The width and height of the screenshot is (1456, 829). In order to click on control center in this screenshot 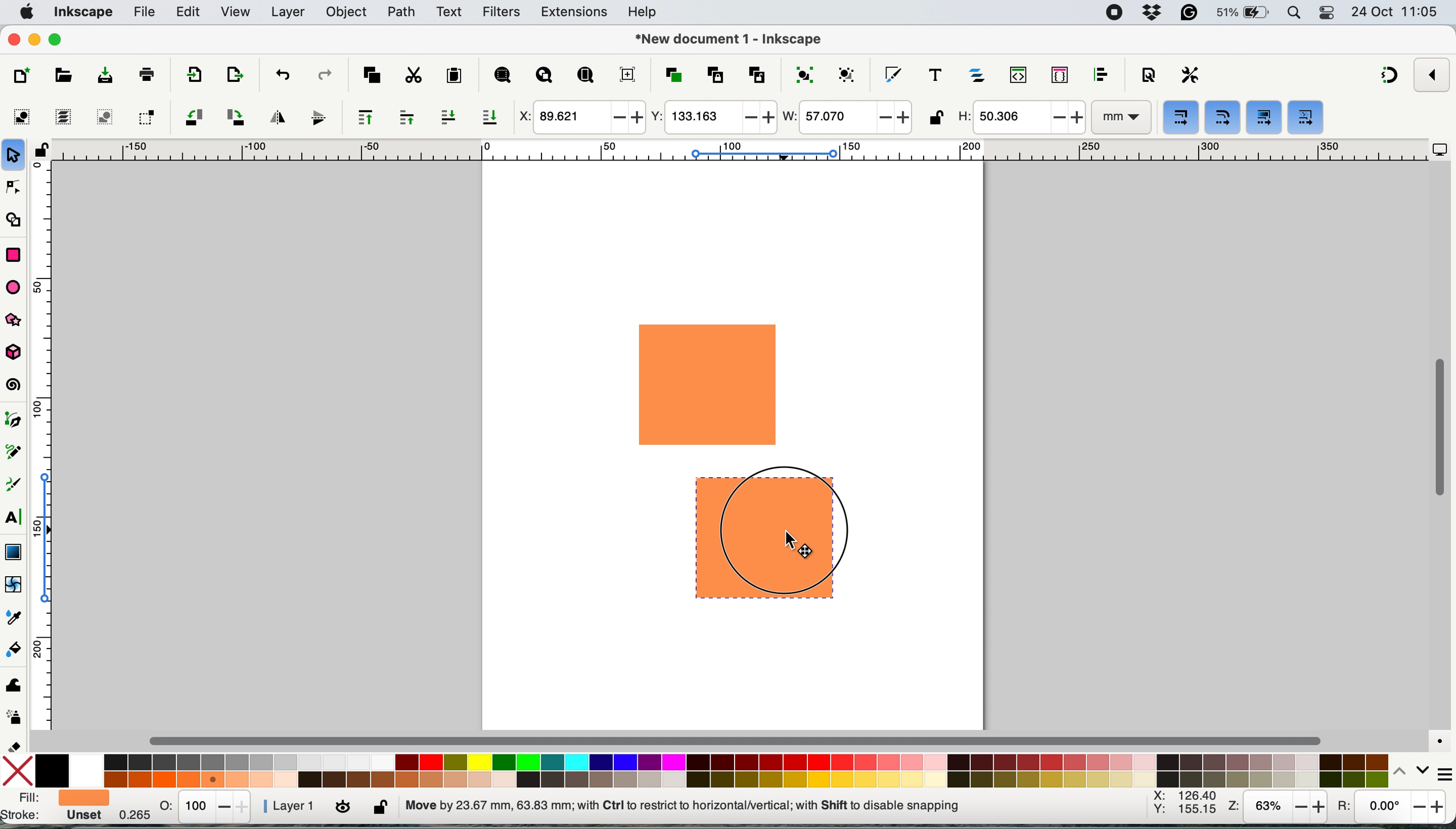, I will do `click(1329, 14)`.